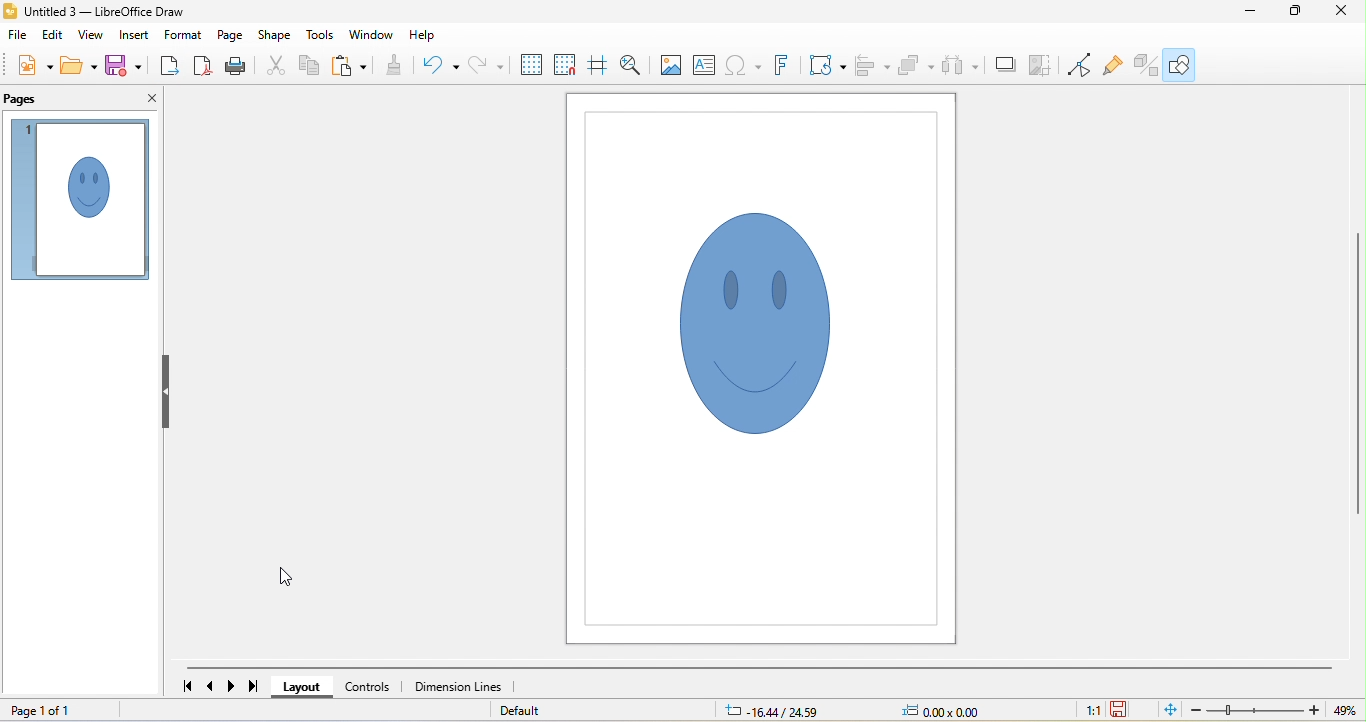 The height and width of the screenshot is (722, 1366). I want to click on fit to current window, so click(1169, 711).